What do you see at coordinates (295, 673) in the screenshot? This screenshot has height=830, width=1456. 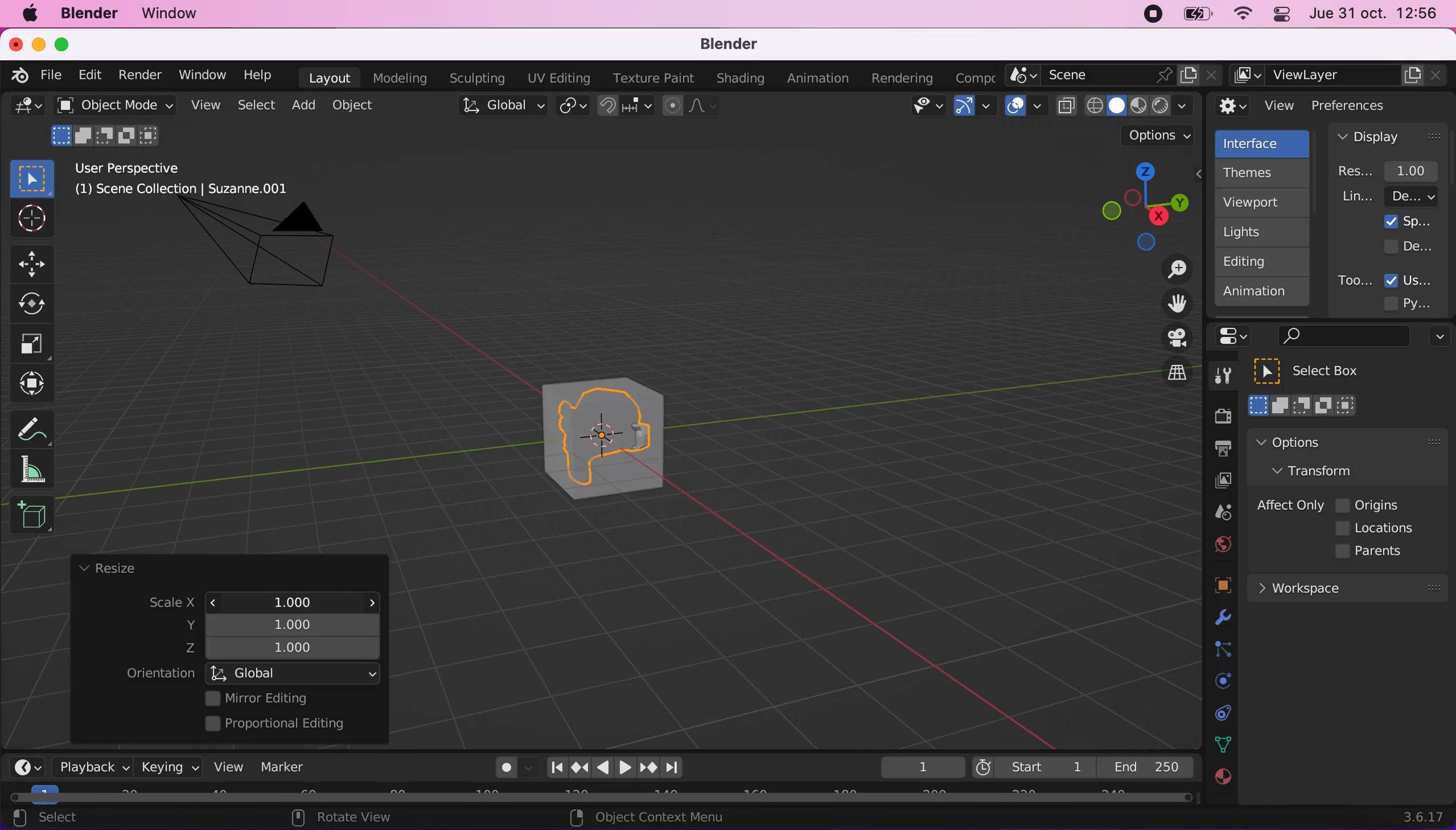 I see `global` at bounding box center [295, 673].